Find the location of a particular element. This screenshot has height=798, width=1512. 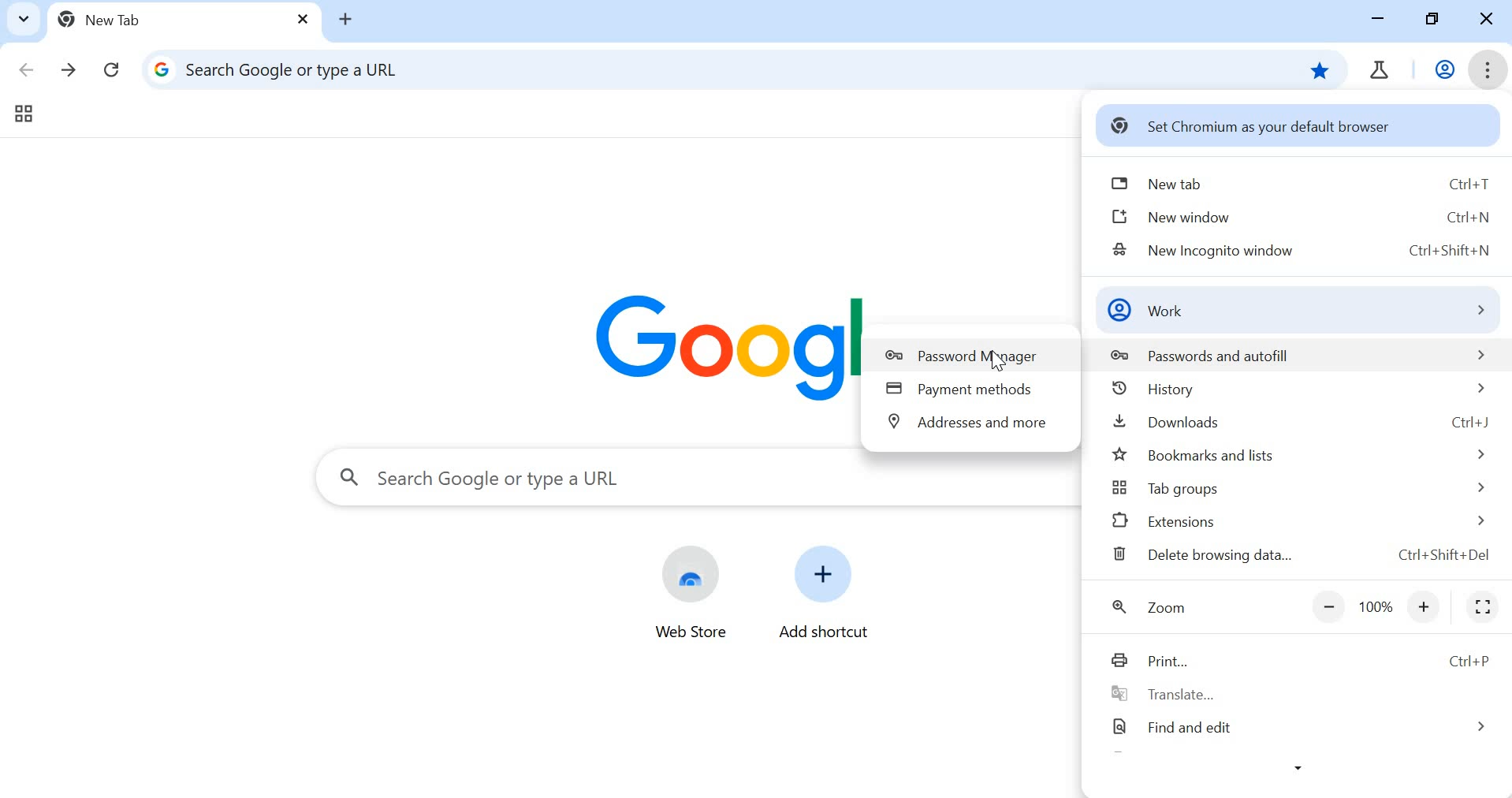

restore down is located at coordinates (1433, 20).